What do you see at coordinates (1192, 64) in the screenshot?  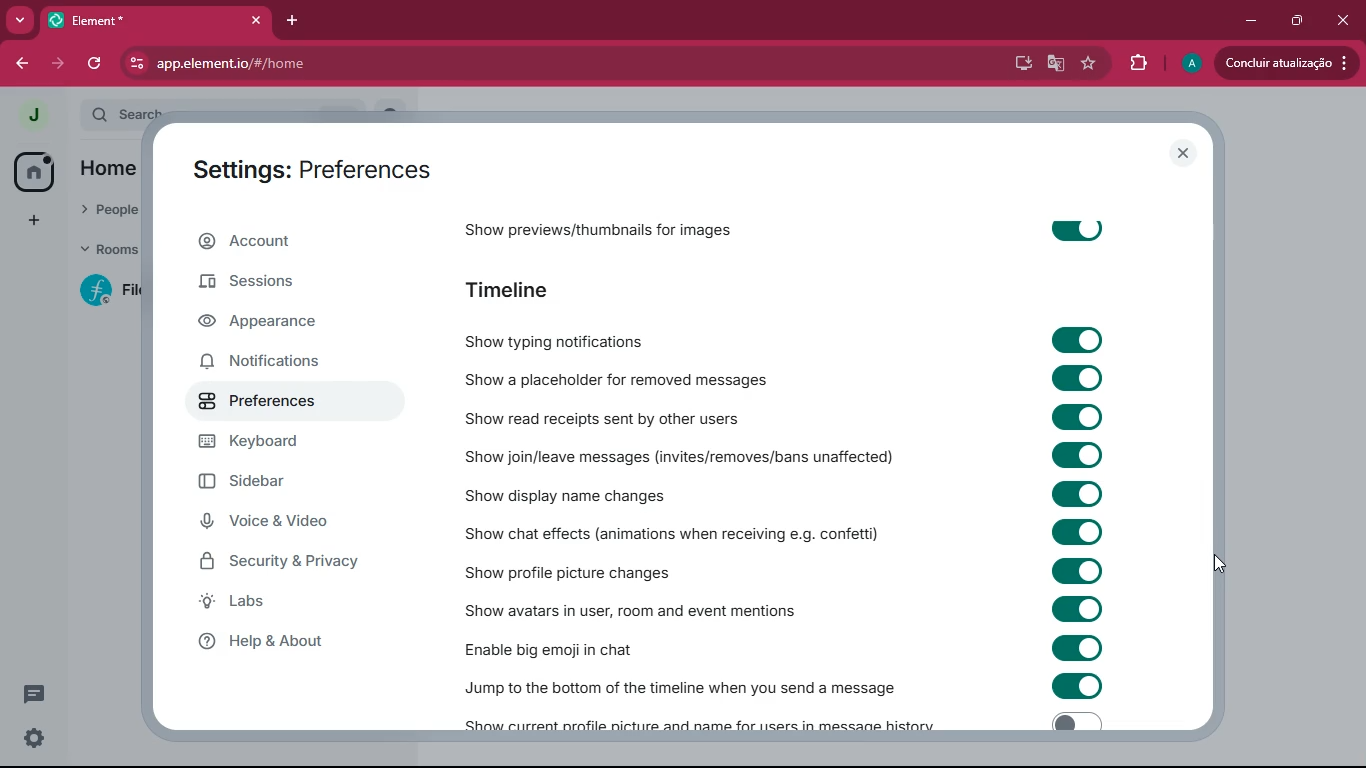 I see `a` at bounding box center [1192, 64].